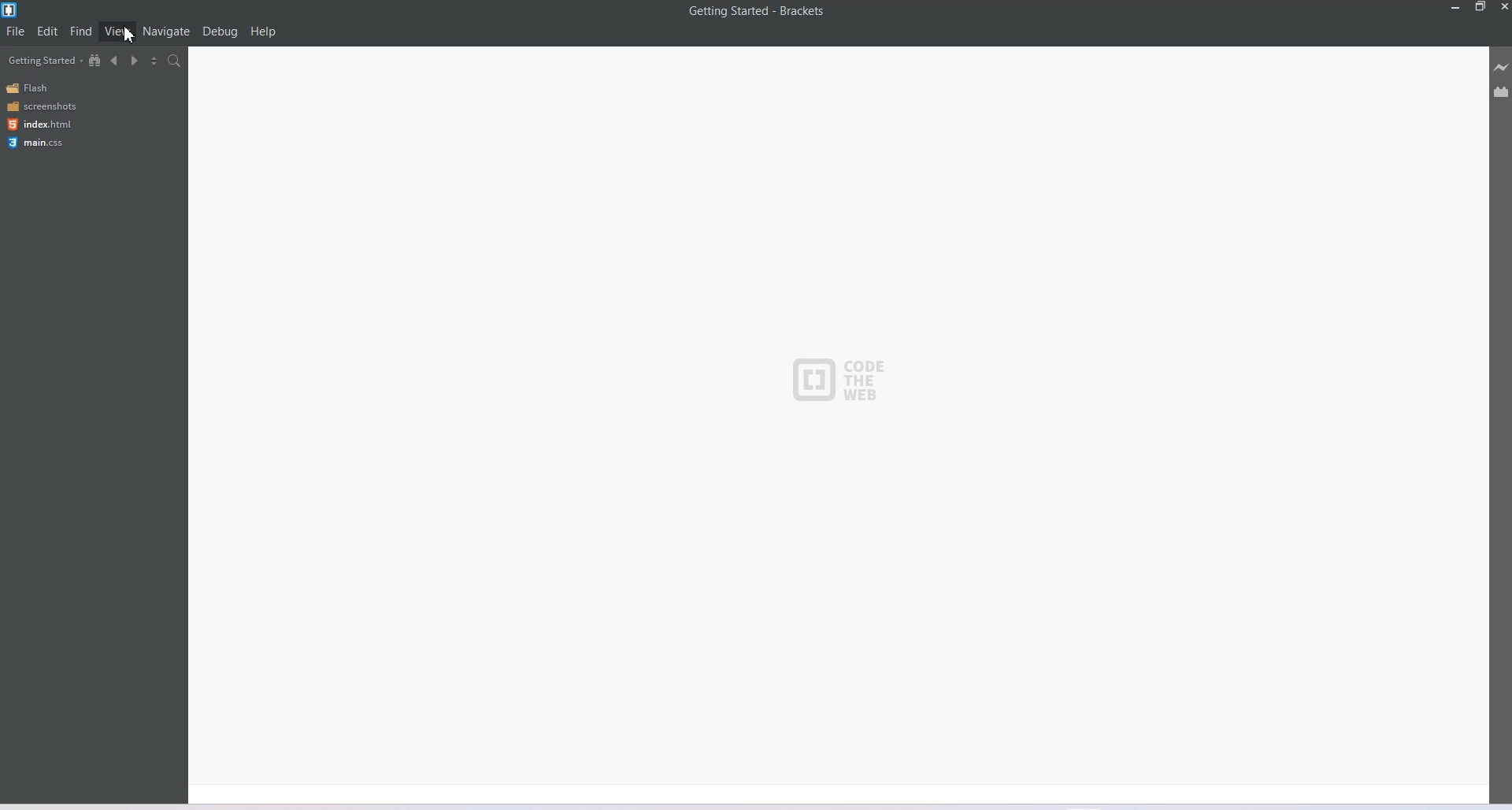 The width and height of the screenshot is (1512, 810). What do you see at coordinates (1501, 67) in the screenshot?
I see `Live Preview` at bounding box center [1501, 67].